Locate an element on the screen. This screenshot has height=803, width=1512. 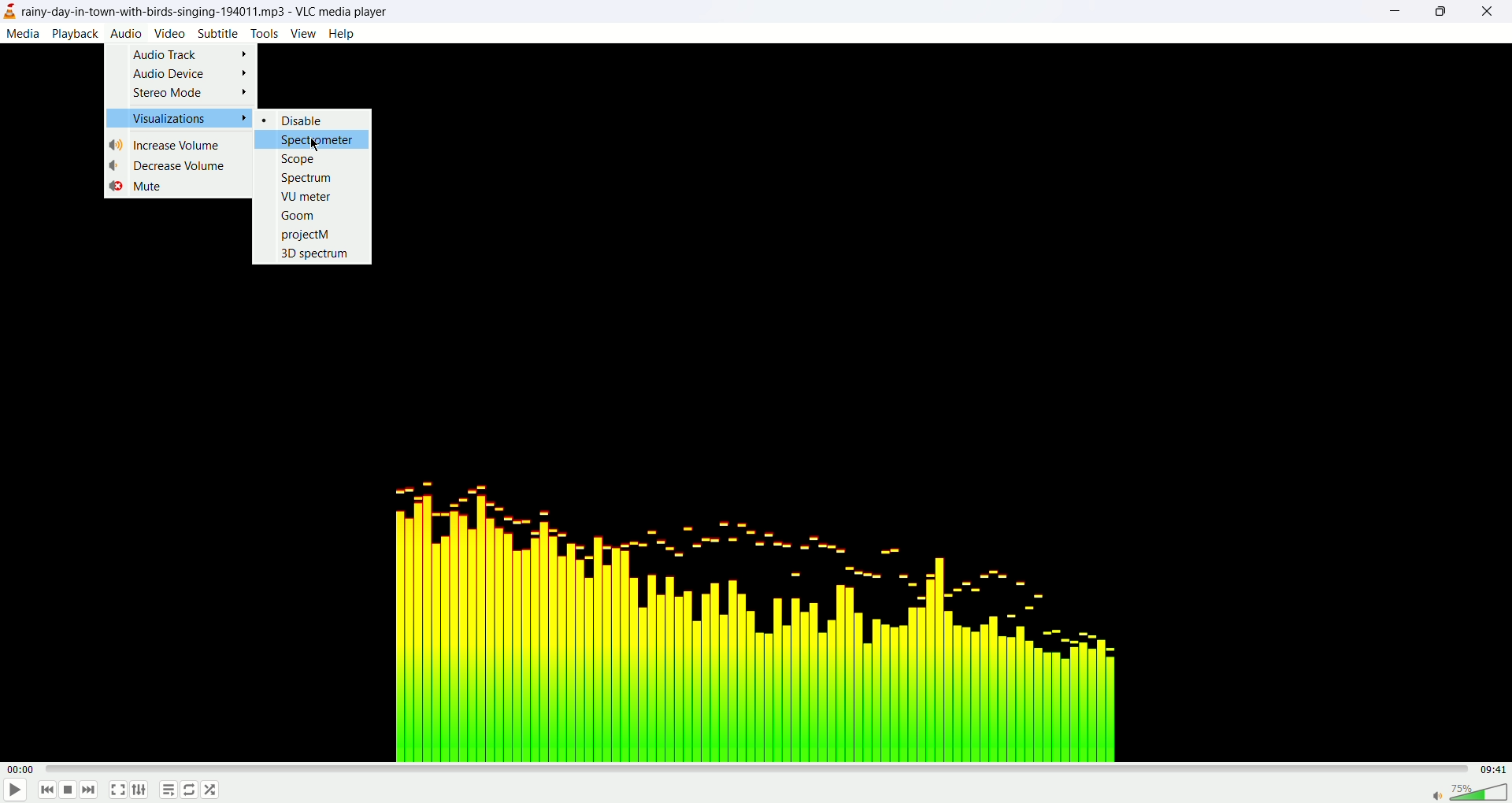
spectrometer is located at coordinates (315, 139).